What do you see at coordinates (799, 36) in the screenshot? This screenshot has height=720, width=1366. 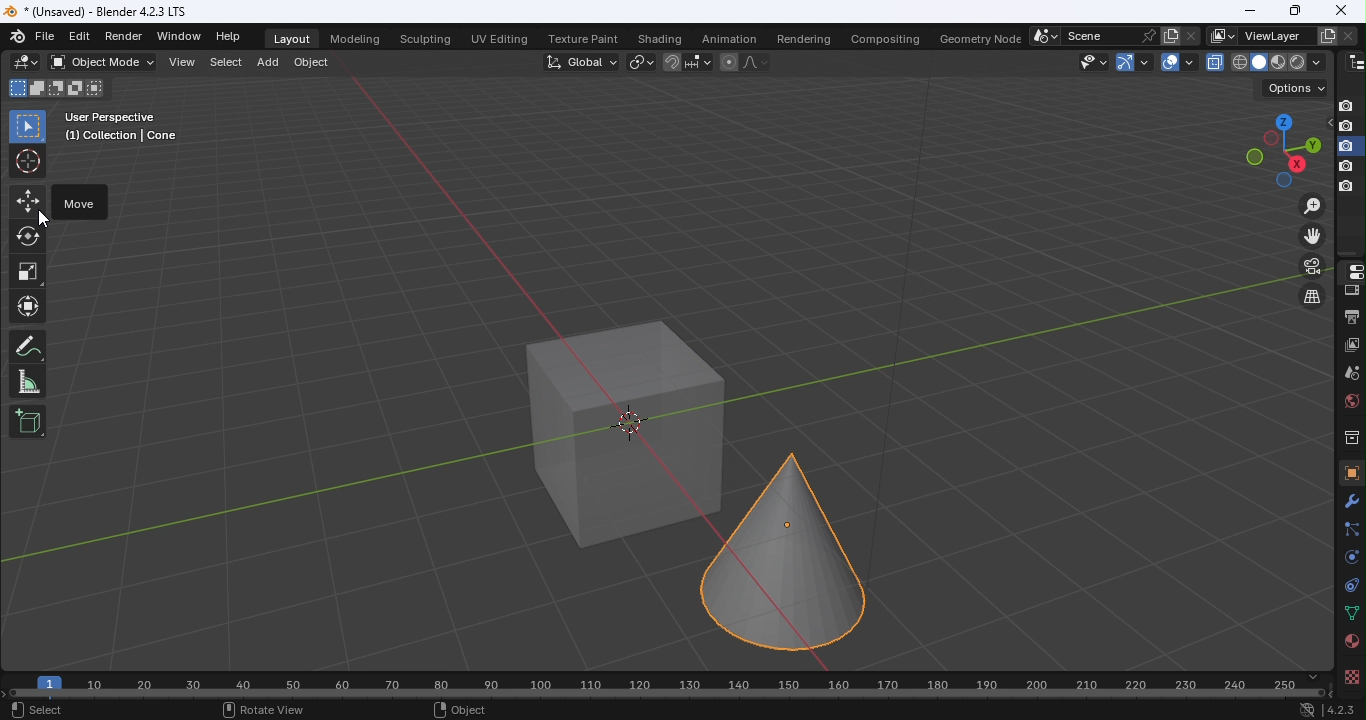 I see `Rendering` at bounding box center [799, 36].